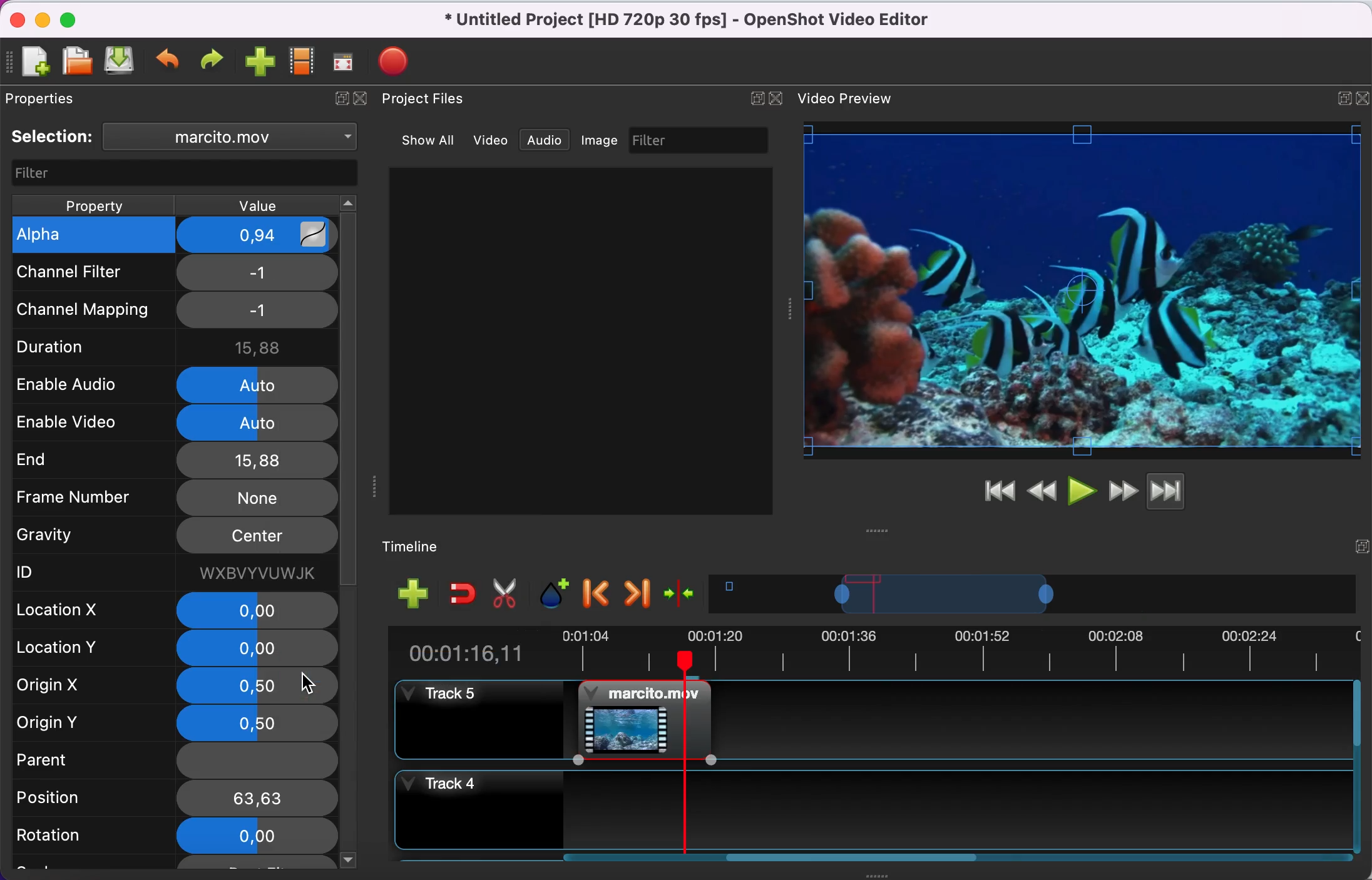 This screenshot has height=880, width=1372. What do you see at coordinates (260, 61) in the screenshot?
I see `import file` at bounding box center [260, 61].